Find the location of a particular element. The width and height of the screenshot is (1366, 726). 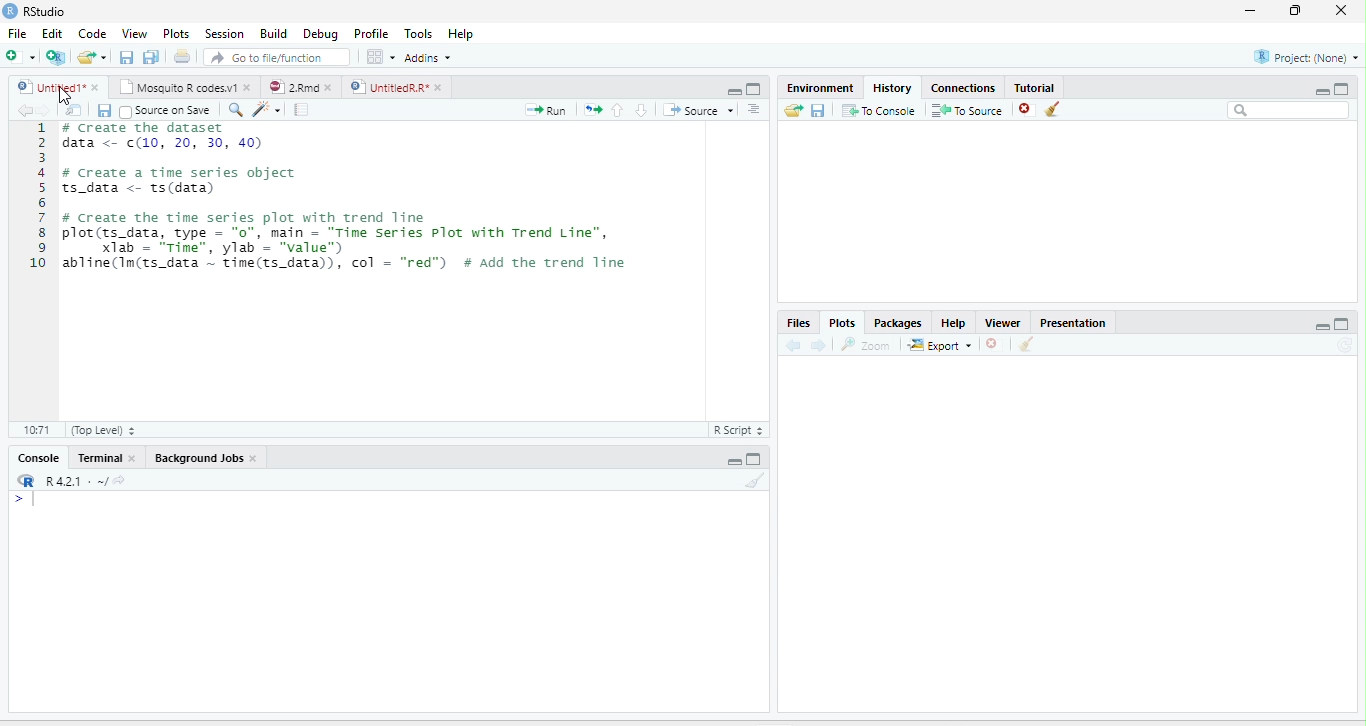

Tutorial is located at coordinates (1036, 87).